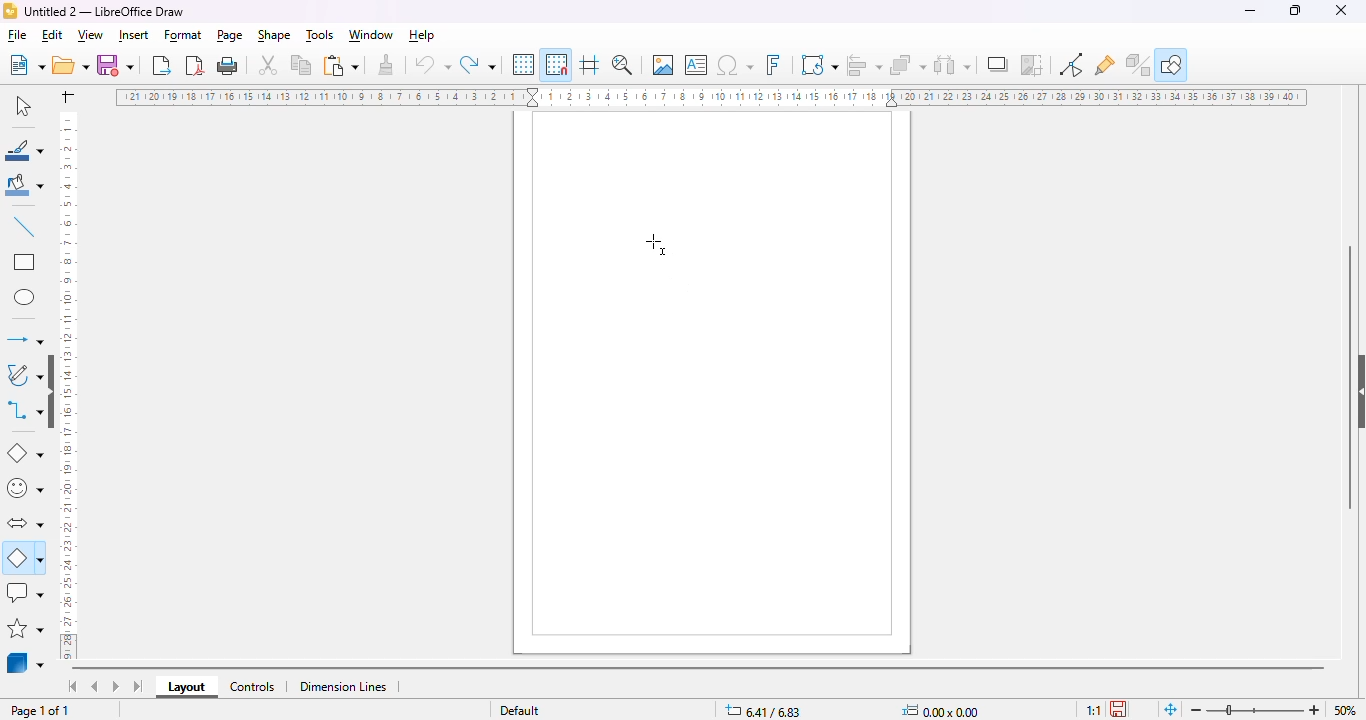 This screenshot has width=1366, height=720. Describe the element at coordinates (41, 711) in the screenshot. I see `page 1 of 1` at that location.